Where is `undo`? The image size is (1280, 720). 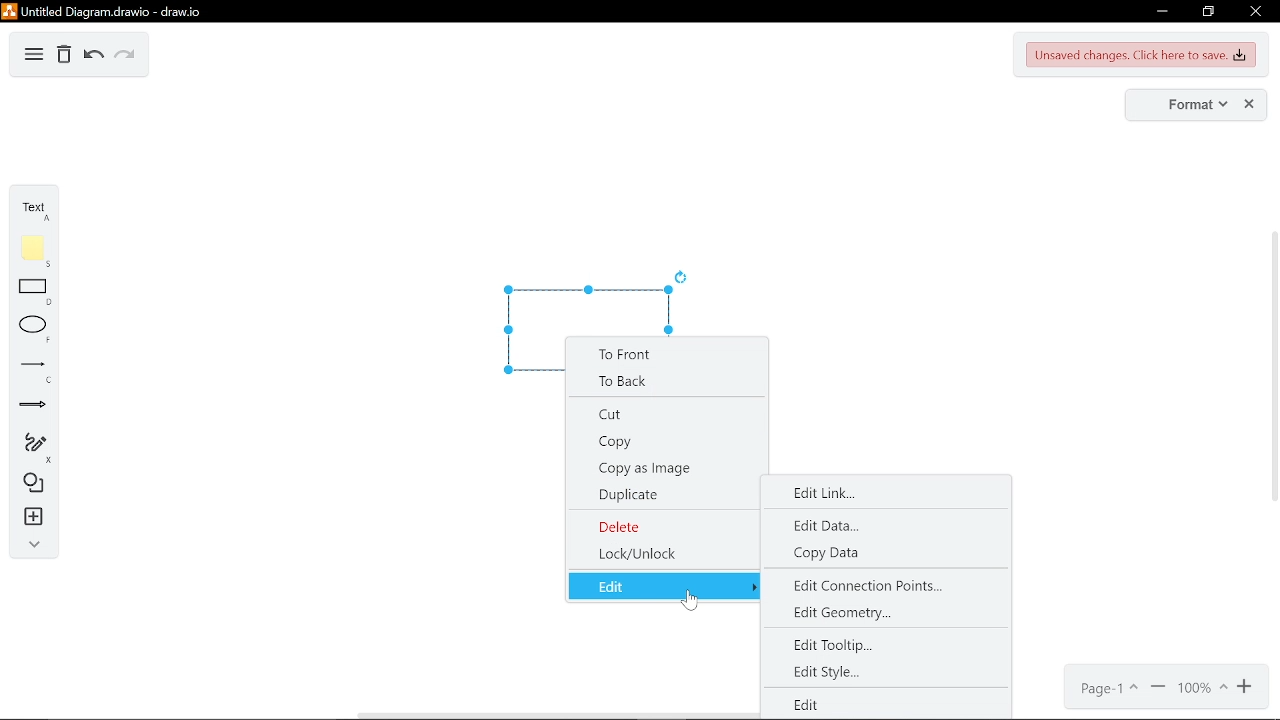 undo is located at coordinates (94, 57).